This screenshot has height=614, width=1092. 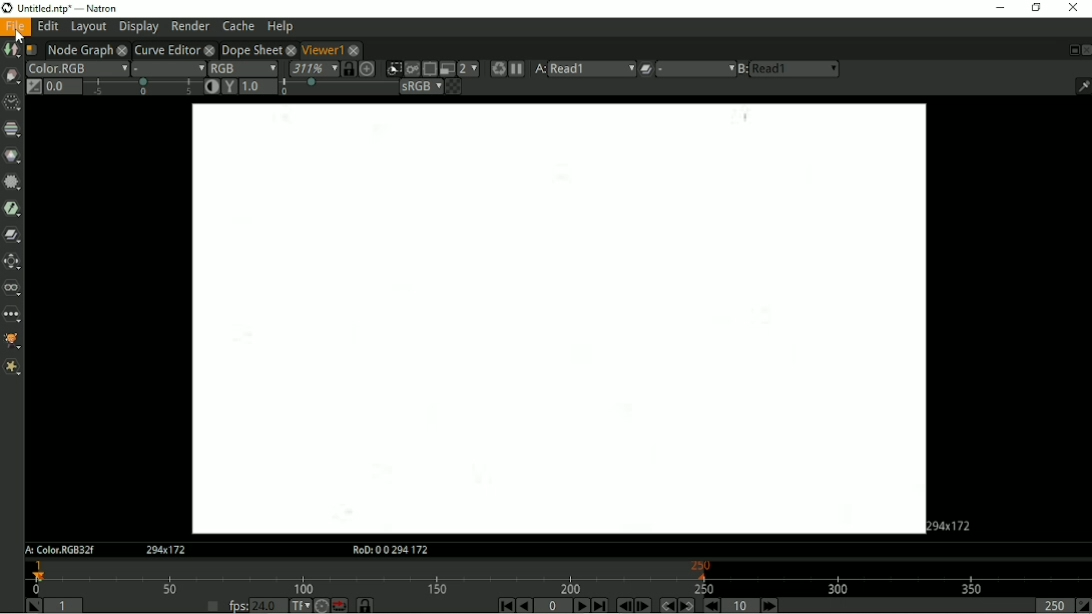 What do you see at coordinates (229, 87) in the screenshot?
I see `Viewer gamma correction` at bounding box center [229, 87].